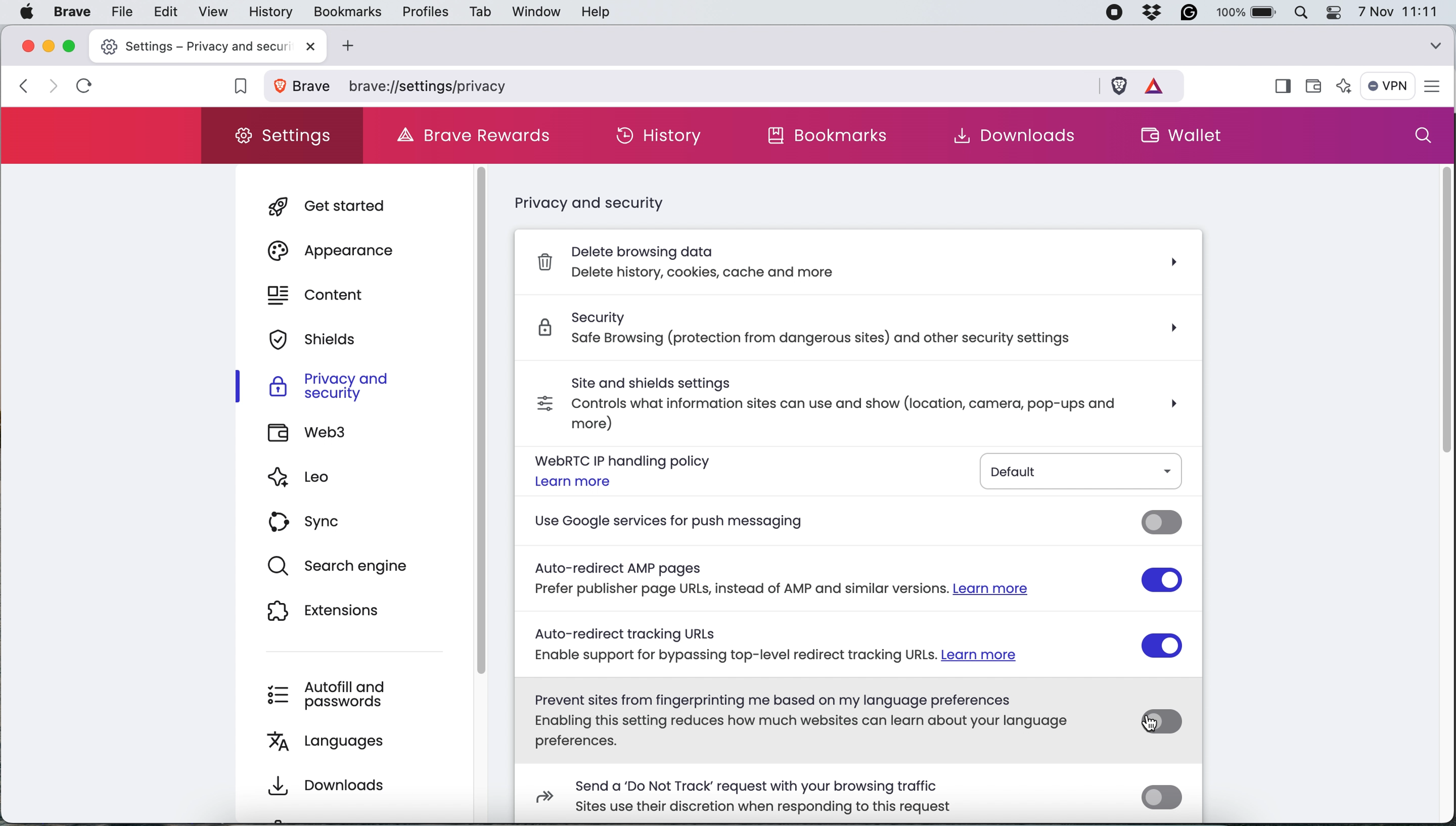 This screenshot has width=1456, height=826. I want to click on send do not track request toggle switch, so click(1162, 798).